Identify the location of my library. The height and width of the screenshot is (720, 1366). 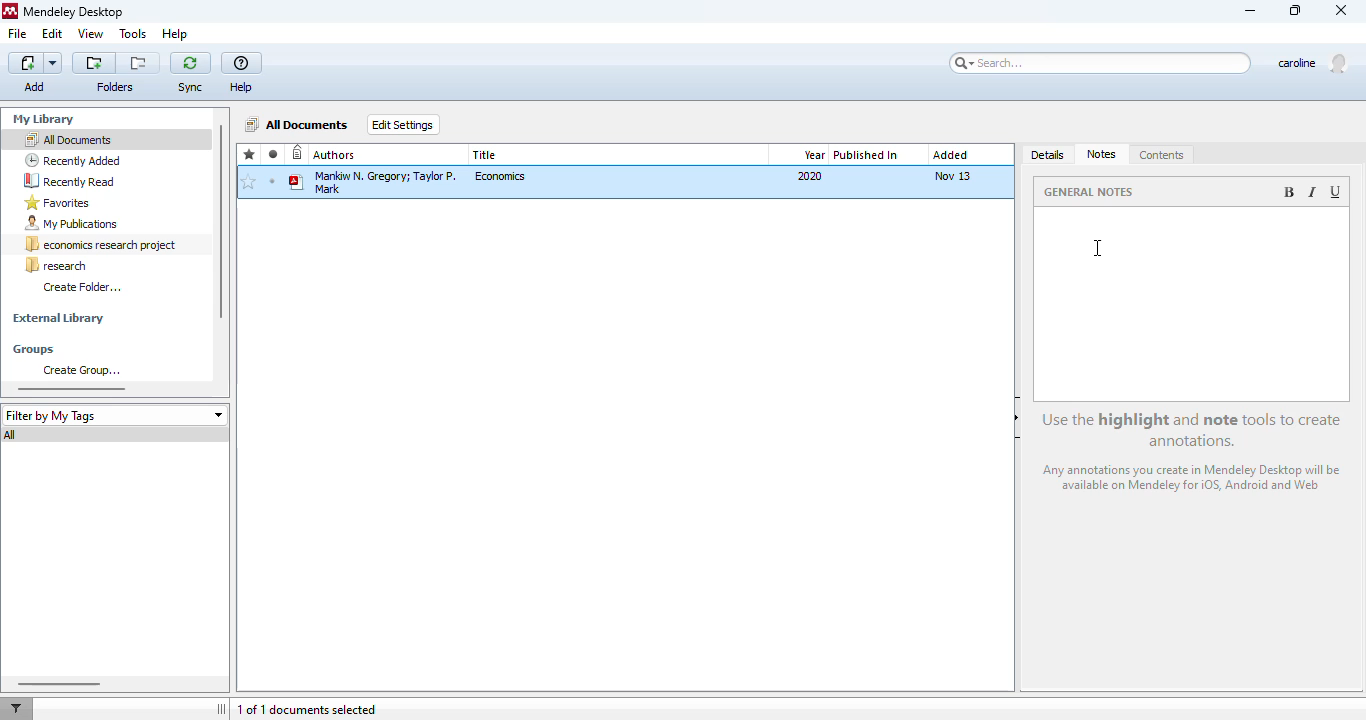
(46, 119).